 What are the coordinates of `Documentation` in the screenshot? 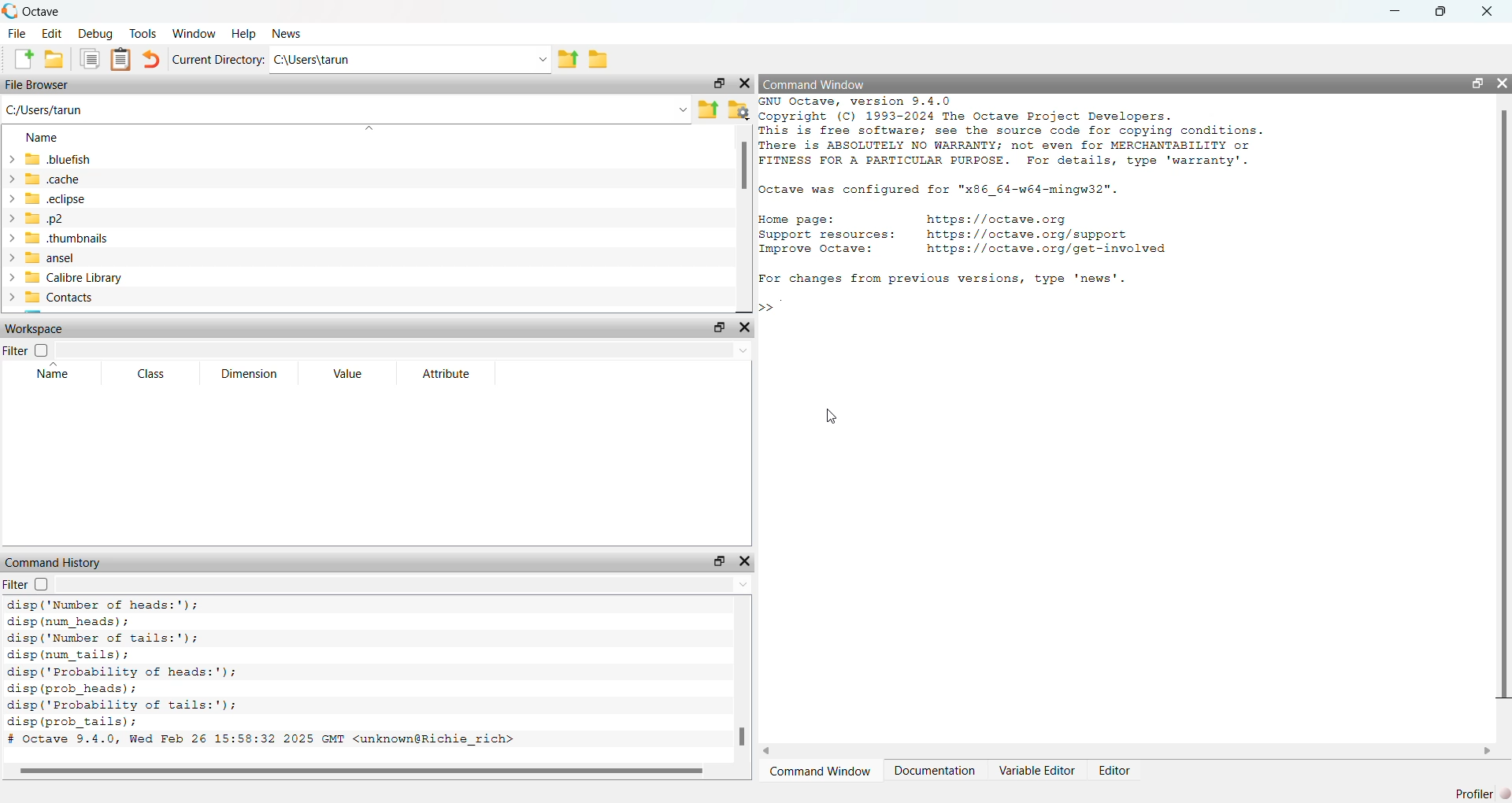 It's located at (934, 771).